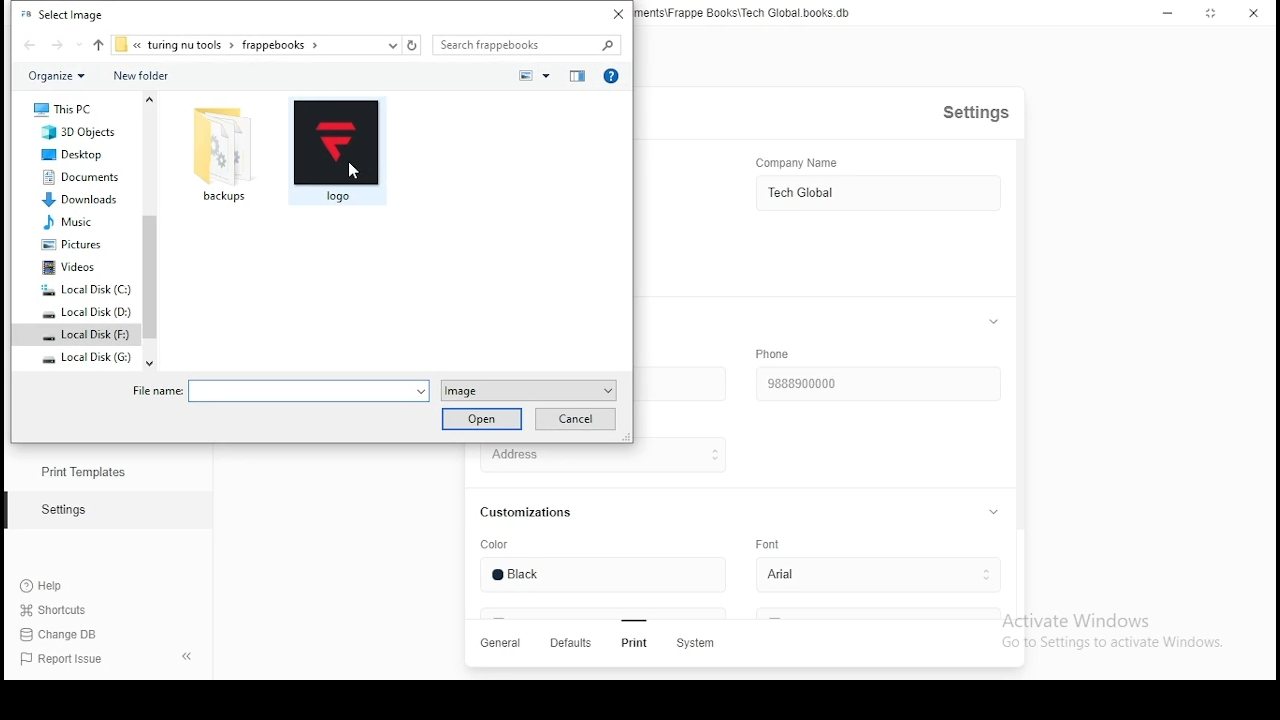 The image size is (1280, 720). Describe the element at coordinates (84, 358) in the screenshot. I see `Local Disk(G:)` at that location.